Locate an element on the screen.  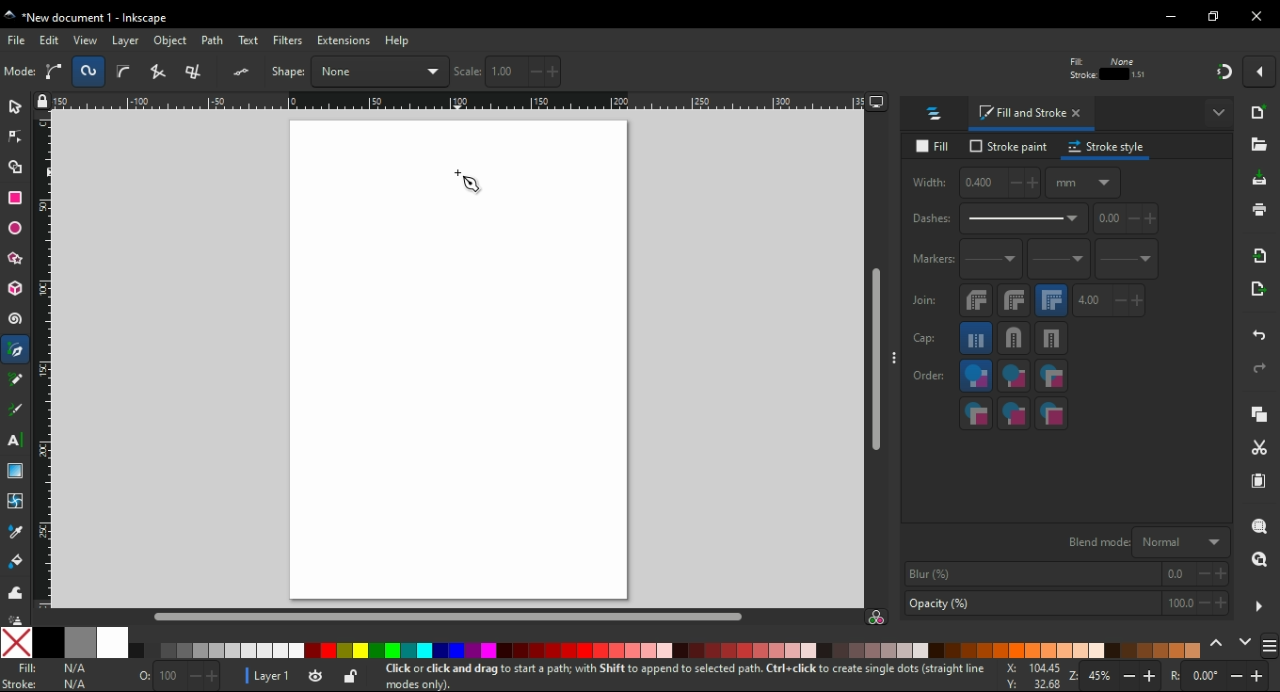
pen tool is located at coordinates (17, 351).